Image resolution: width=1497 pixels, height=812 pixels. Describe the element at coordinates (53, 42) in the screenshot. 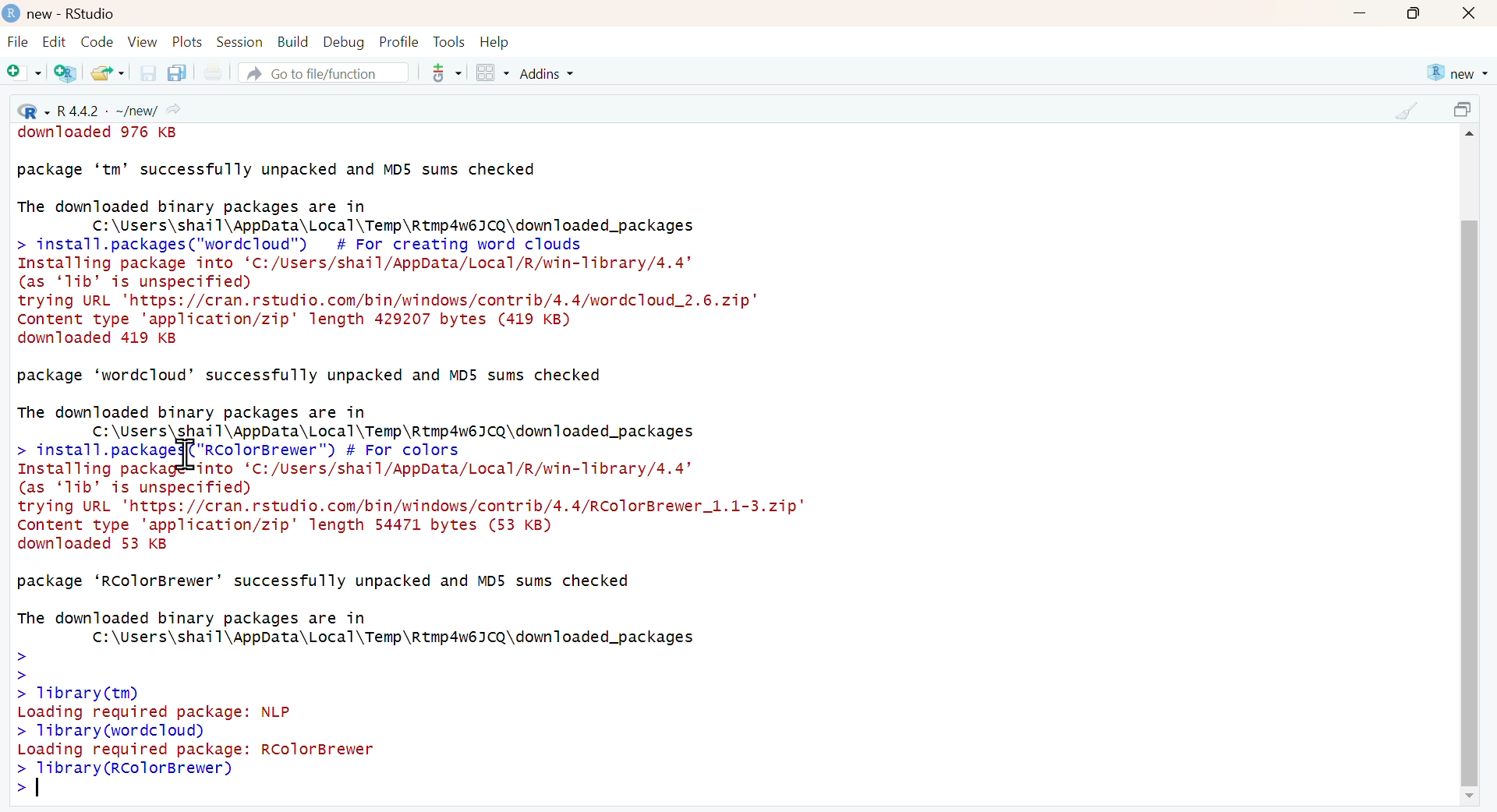

I see `Edit` at that location.